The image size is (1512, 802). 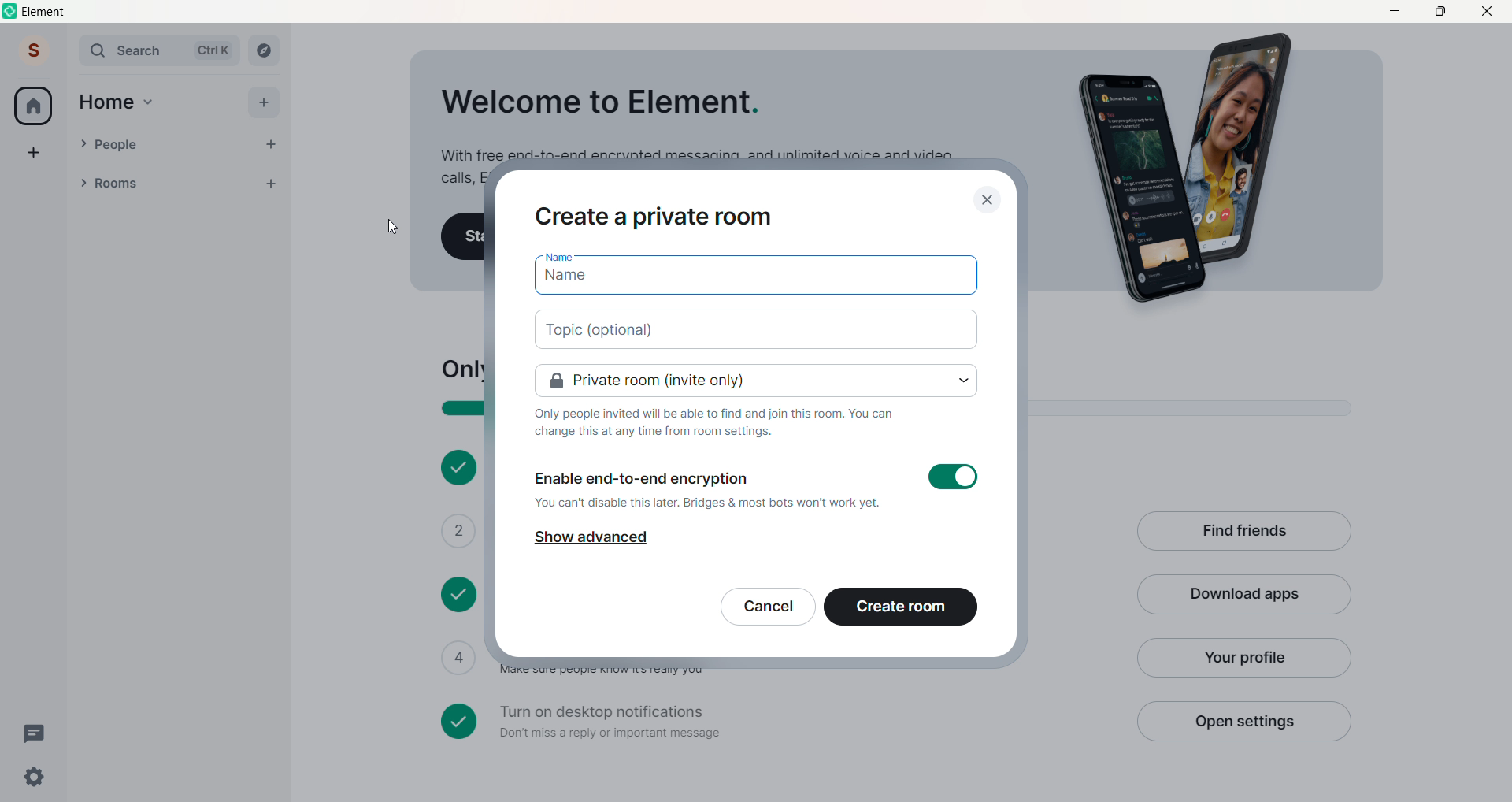 I want to click on Download APp, so click(x=1244, y=596).